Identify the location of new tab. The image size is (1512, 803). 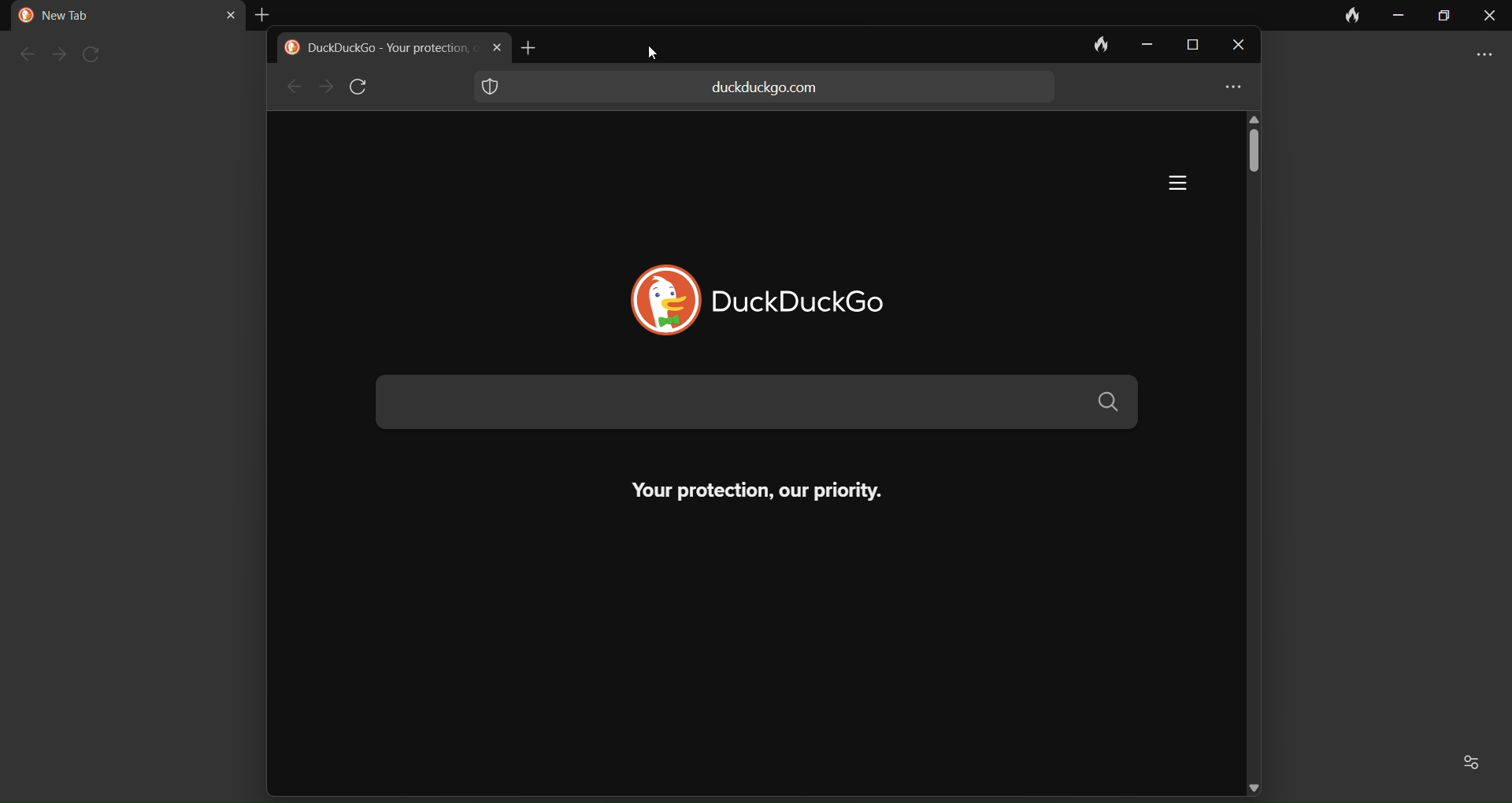
(532, 46).